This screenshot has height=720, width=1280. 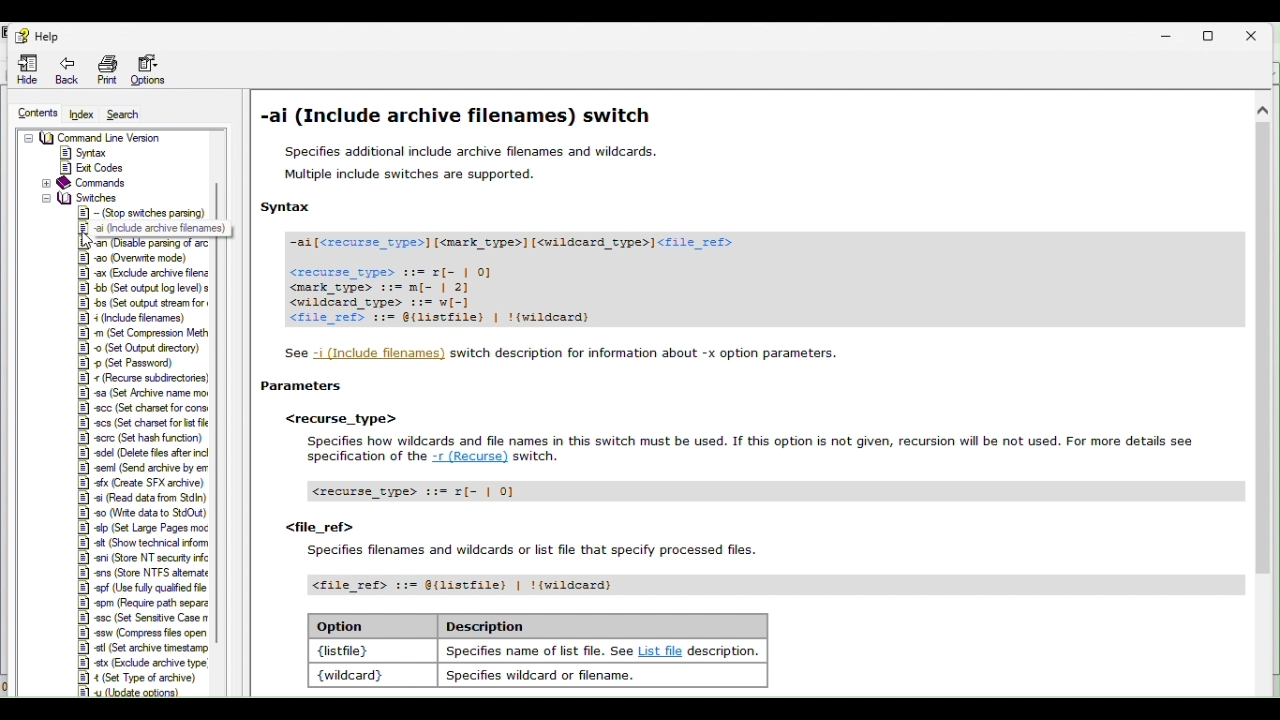 I want to click on IR] x (Exchude achive yoo, so click(x=143, y=662).